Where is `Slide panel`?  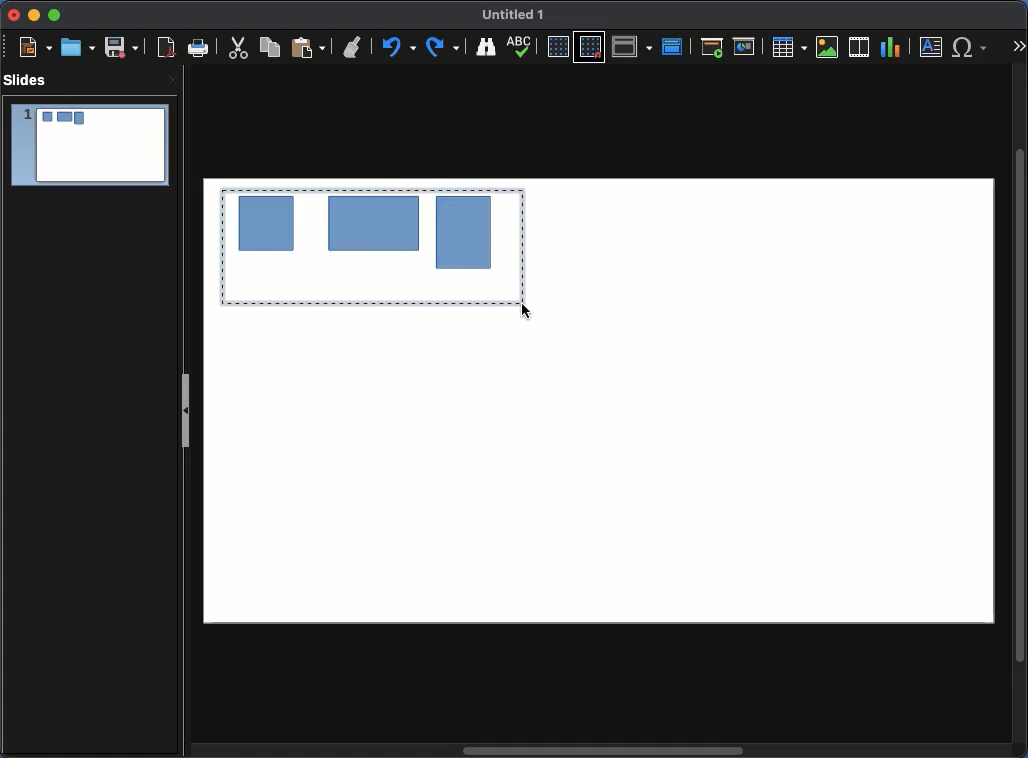 Slide panel is located at coordinates (187, 405).